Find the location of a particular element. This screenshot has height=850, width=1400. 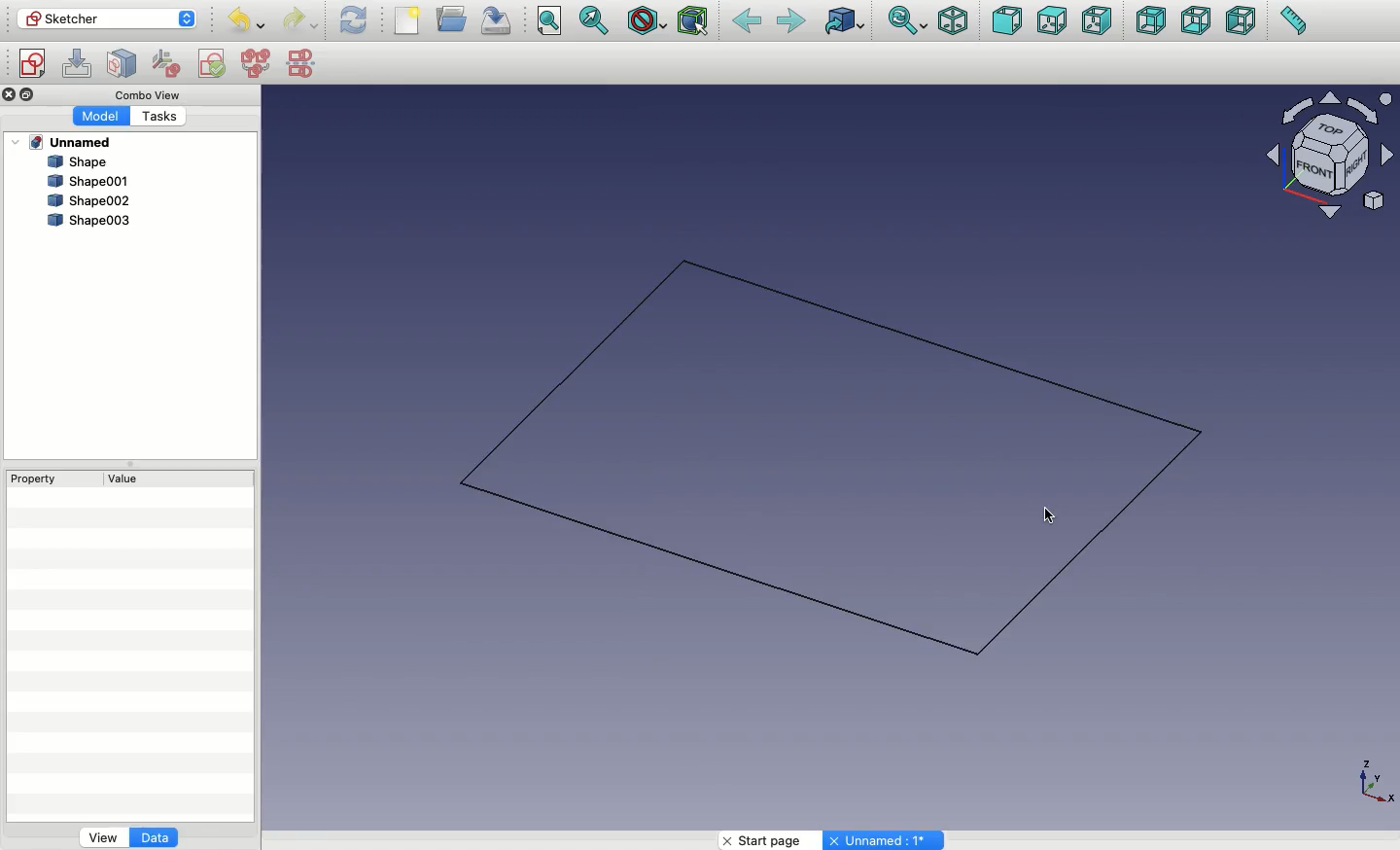

Measure is located at coordinates (1293, 20).